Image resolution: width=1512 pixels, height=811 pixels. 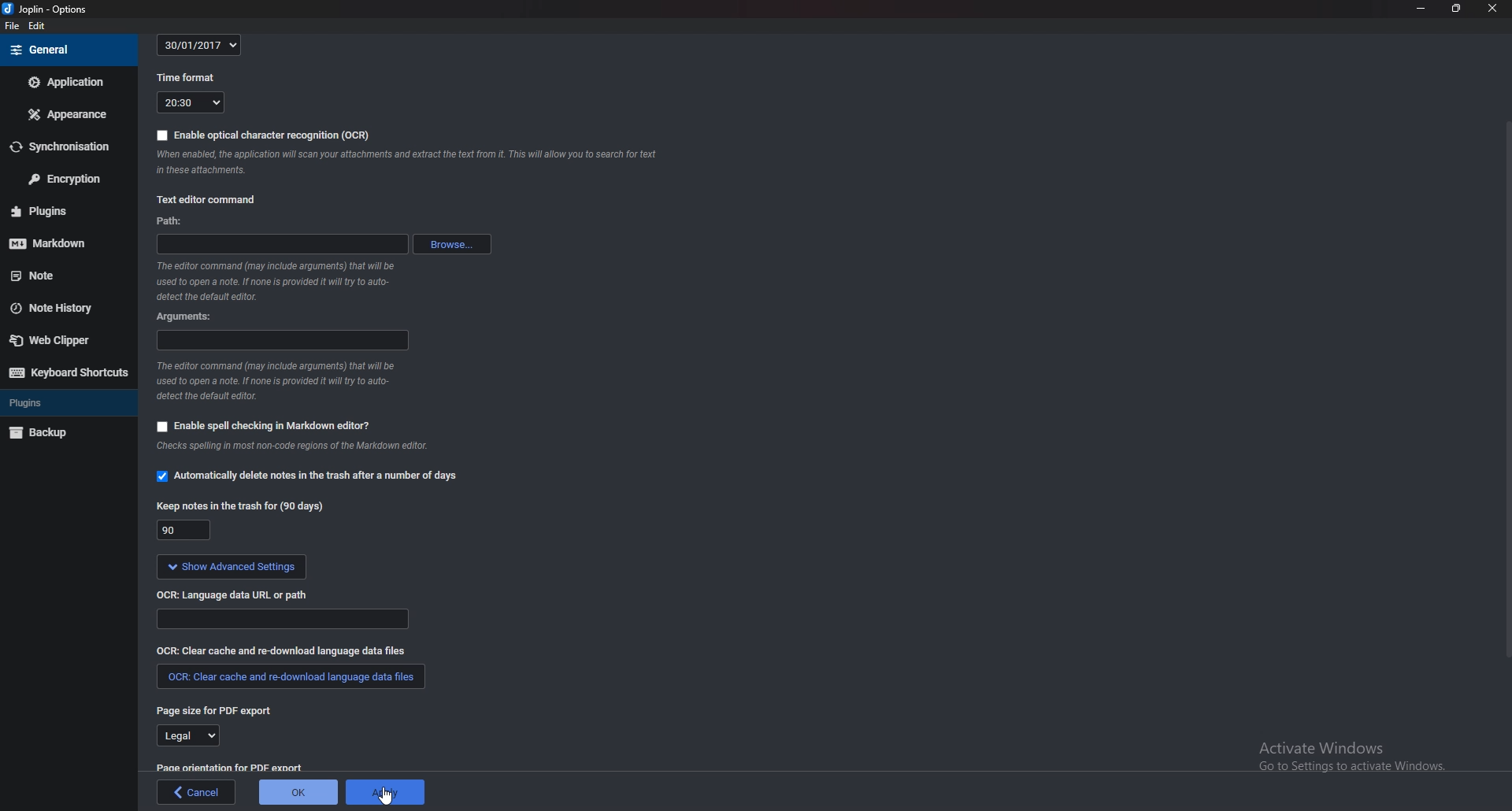 I want to click on activate windows, so click(x=1354, y=751).